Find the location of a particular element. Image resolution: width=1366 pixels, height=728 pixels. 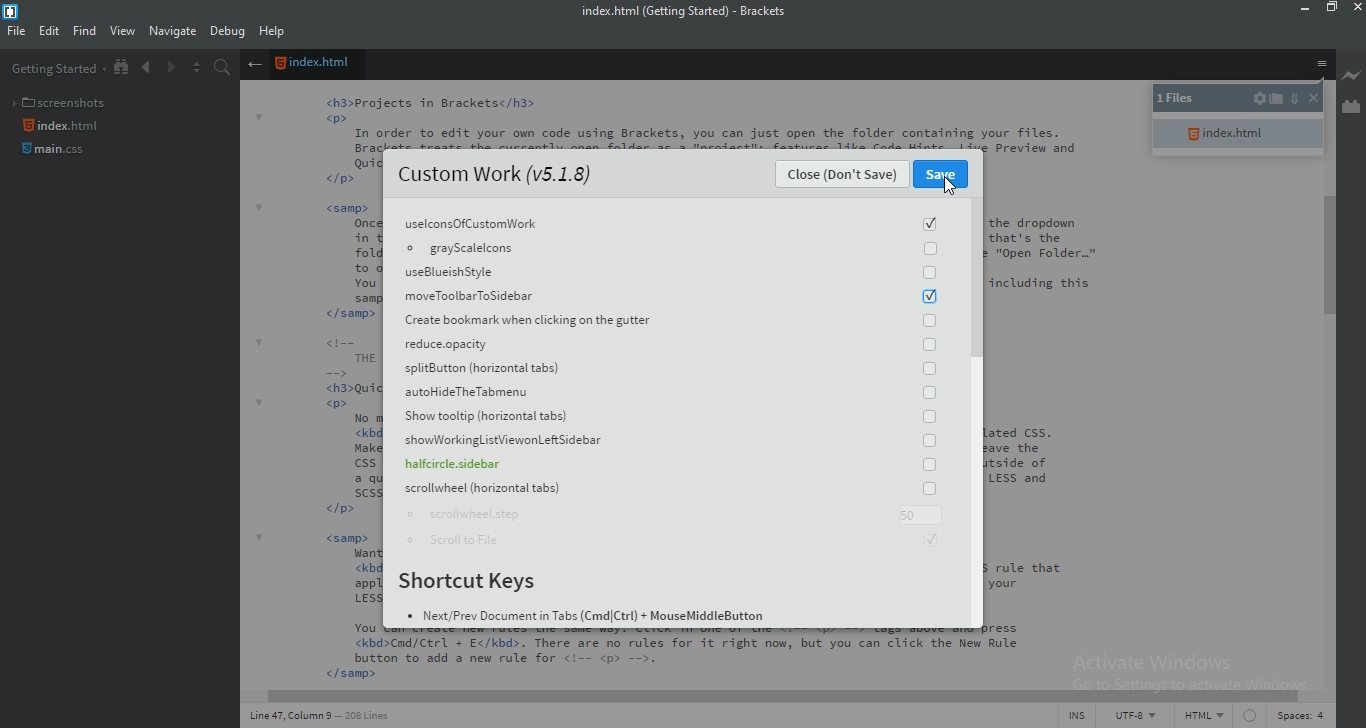

Previous document is located at coordinates (148, 68).